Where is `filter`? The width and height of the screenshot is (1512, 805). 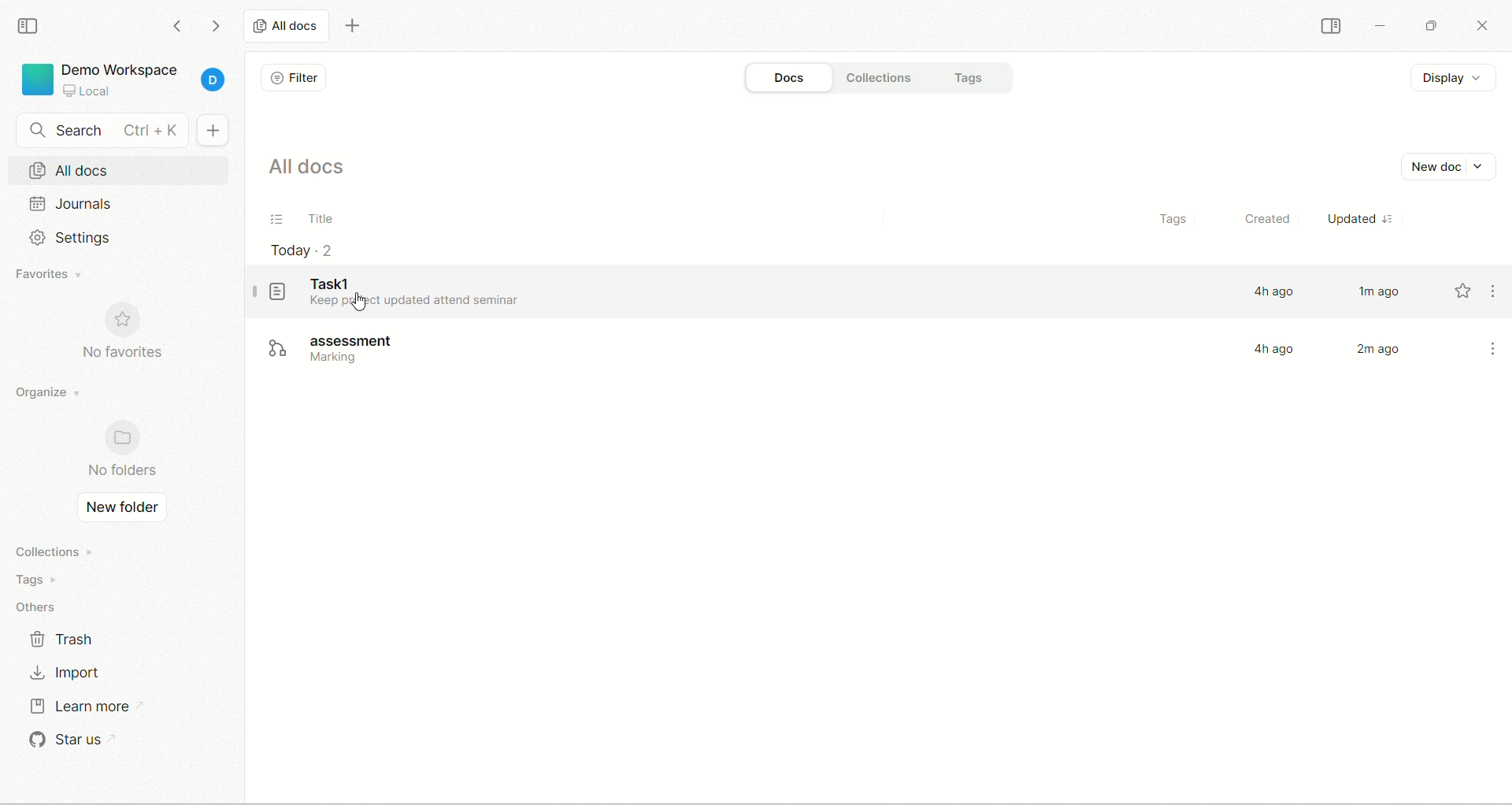 filter is located at coordinates (291, 80).